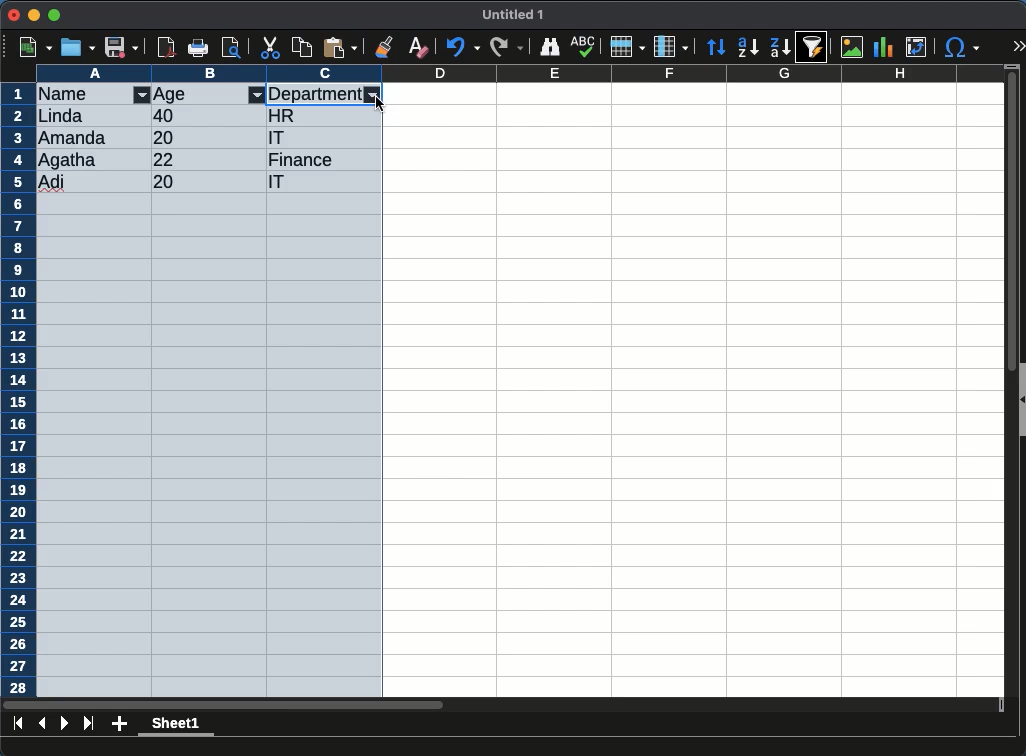  What do you see at coordinates (373, 96) in the screenshot?
I see `filter` at bounding box center [373, 96].